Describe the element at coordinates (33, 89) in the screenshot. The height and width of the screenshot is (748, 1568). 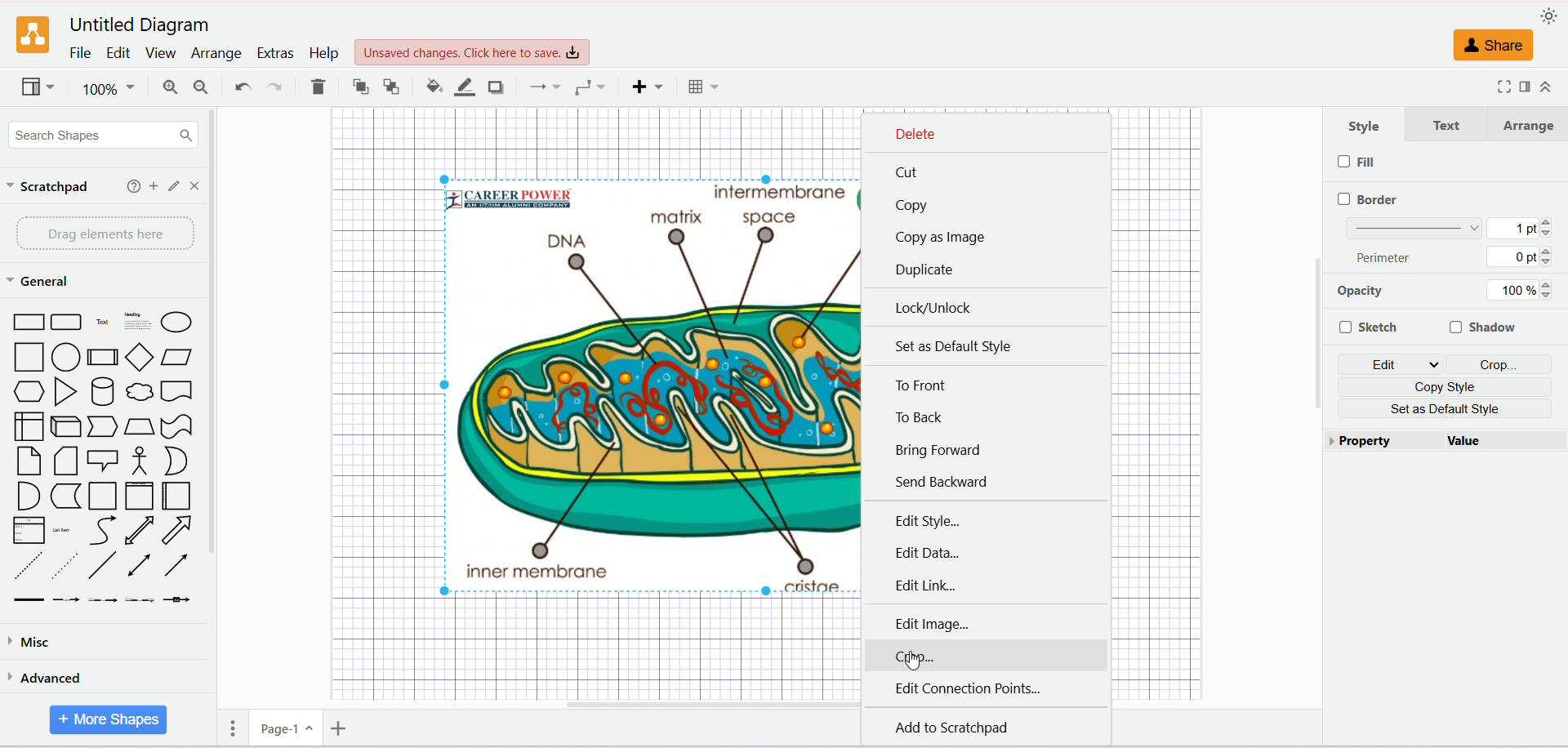
I see `view` at that location.